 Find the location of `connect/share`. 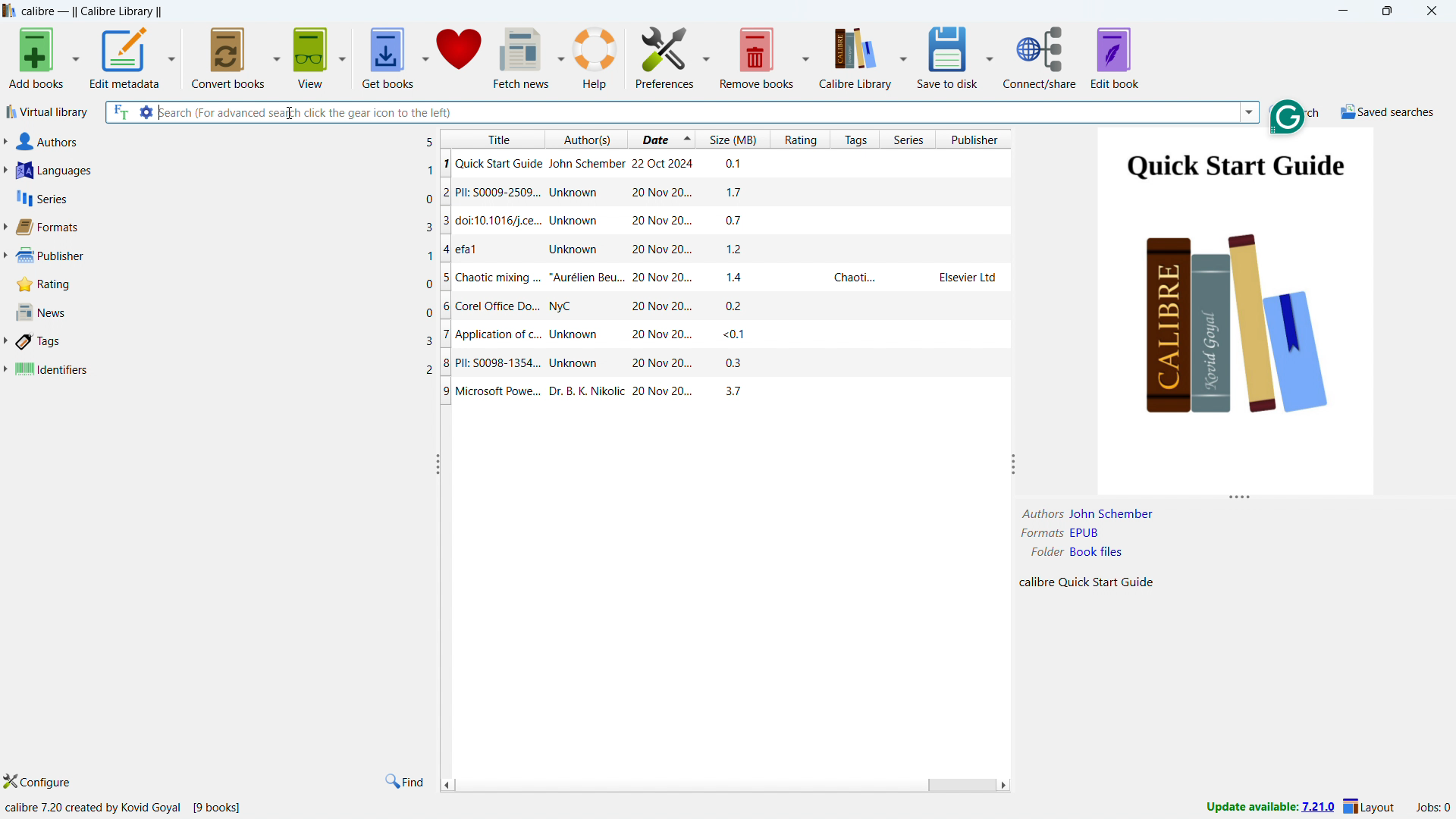

connect/share is located at coordinates (1040, 56).